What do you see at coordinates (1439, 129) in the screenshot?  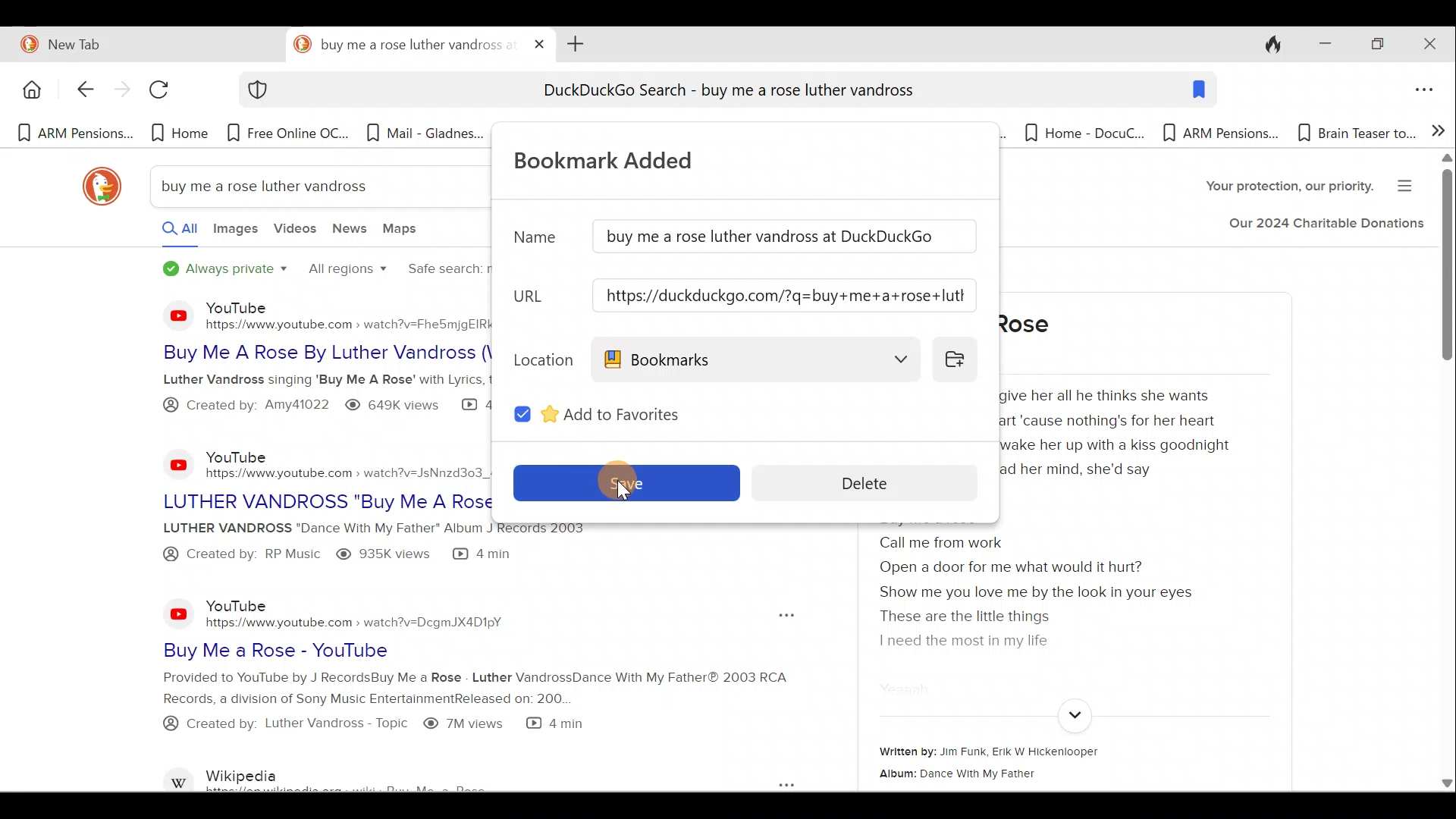 I see `Show more bookmarks` at bounding box center [1439, 129].